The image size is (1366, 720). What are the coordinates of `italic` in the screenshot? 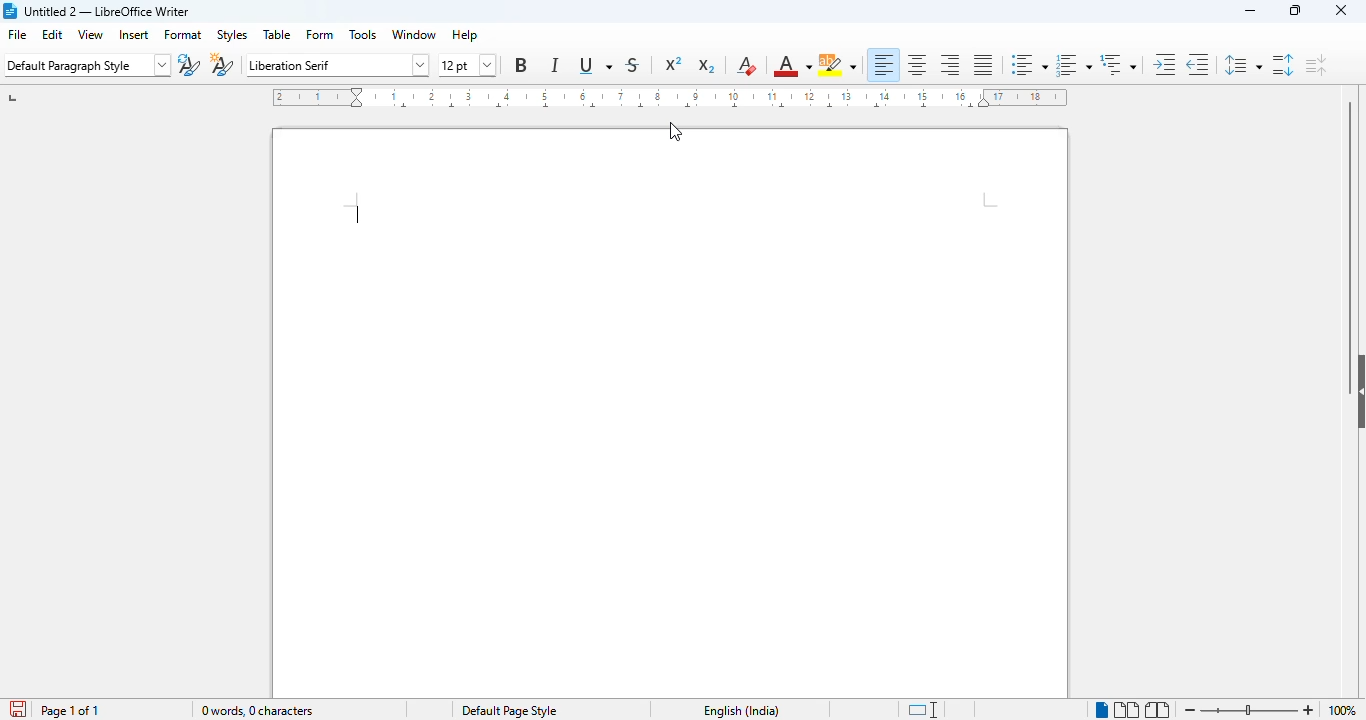 It's located at (555, 65).